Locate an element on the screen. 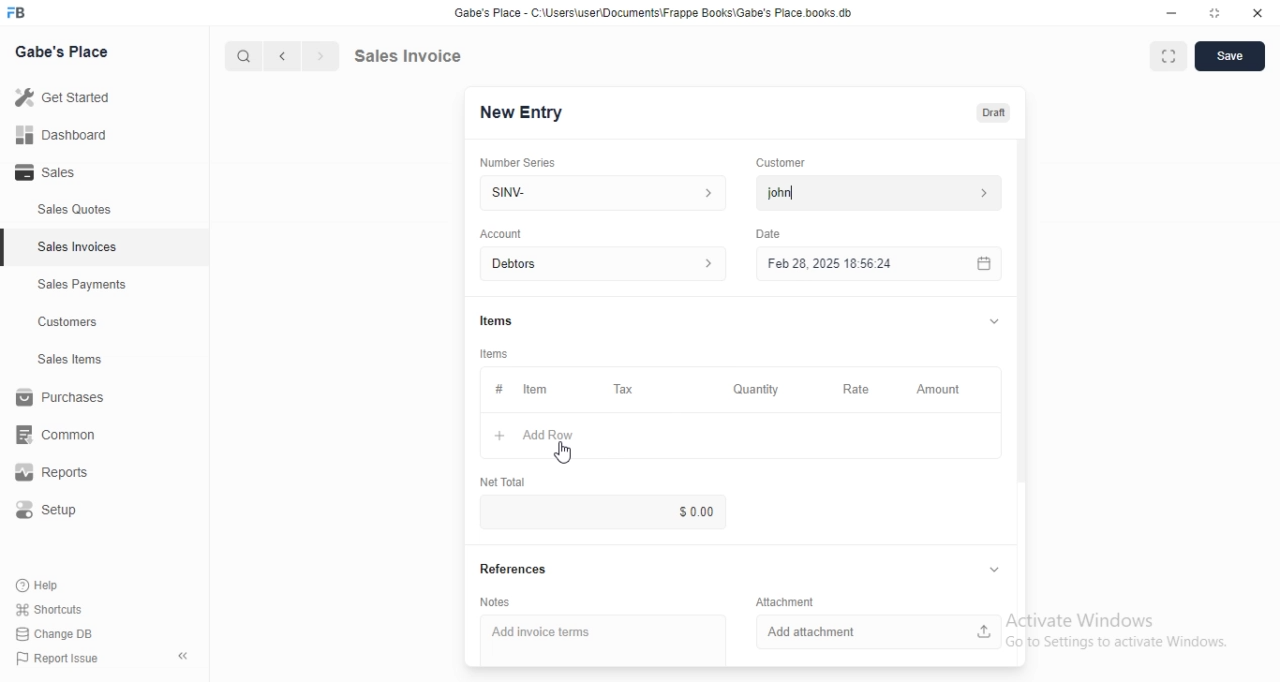   is located at coordinates (498, 389).